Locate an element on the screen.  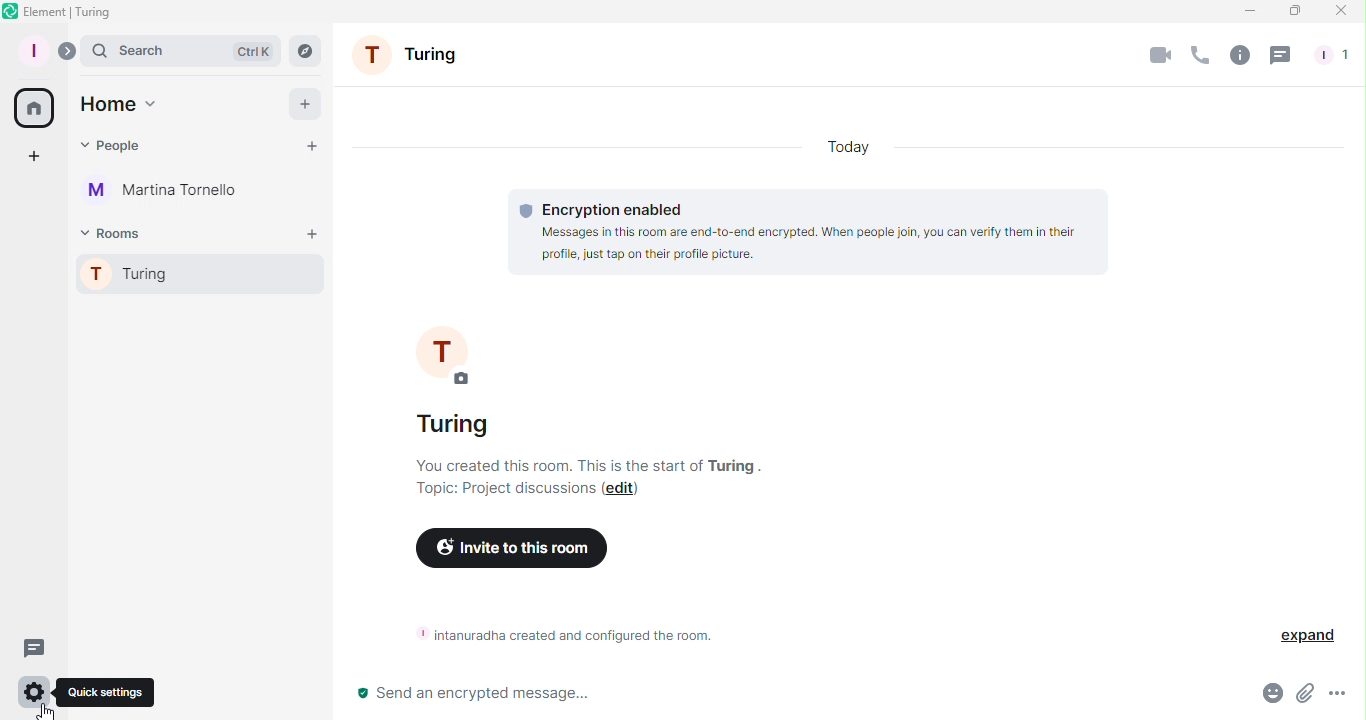
People is located at coordinates (1334, 52).